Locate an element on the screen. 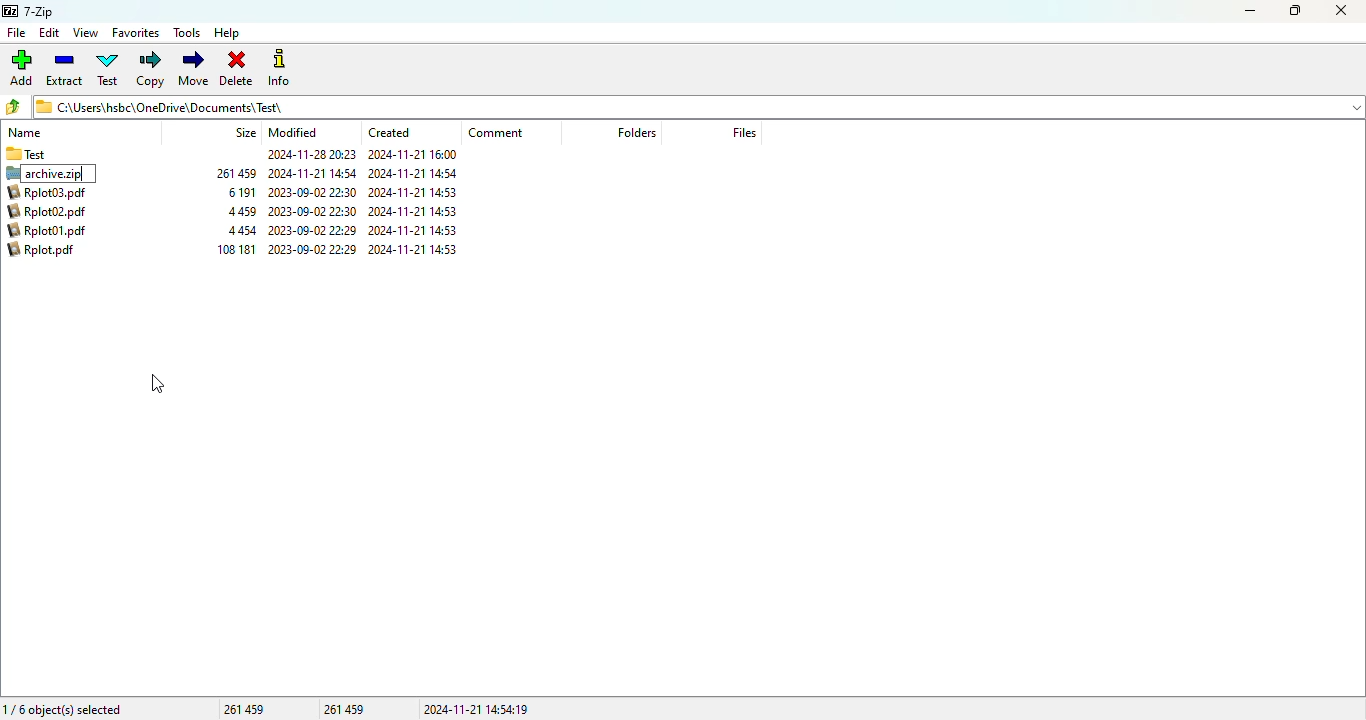 This screenshot has width=1366, height=720. cursor is located at coordinates (62, 183).